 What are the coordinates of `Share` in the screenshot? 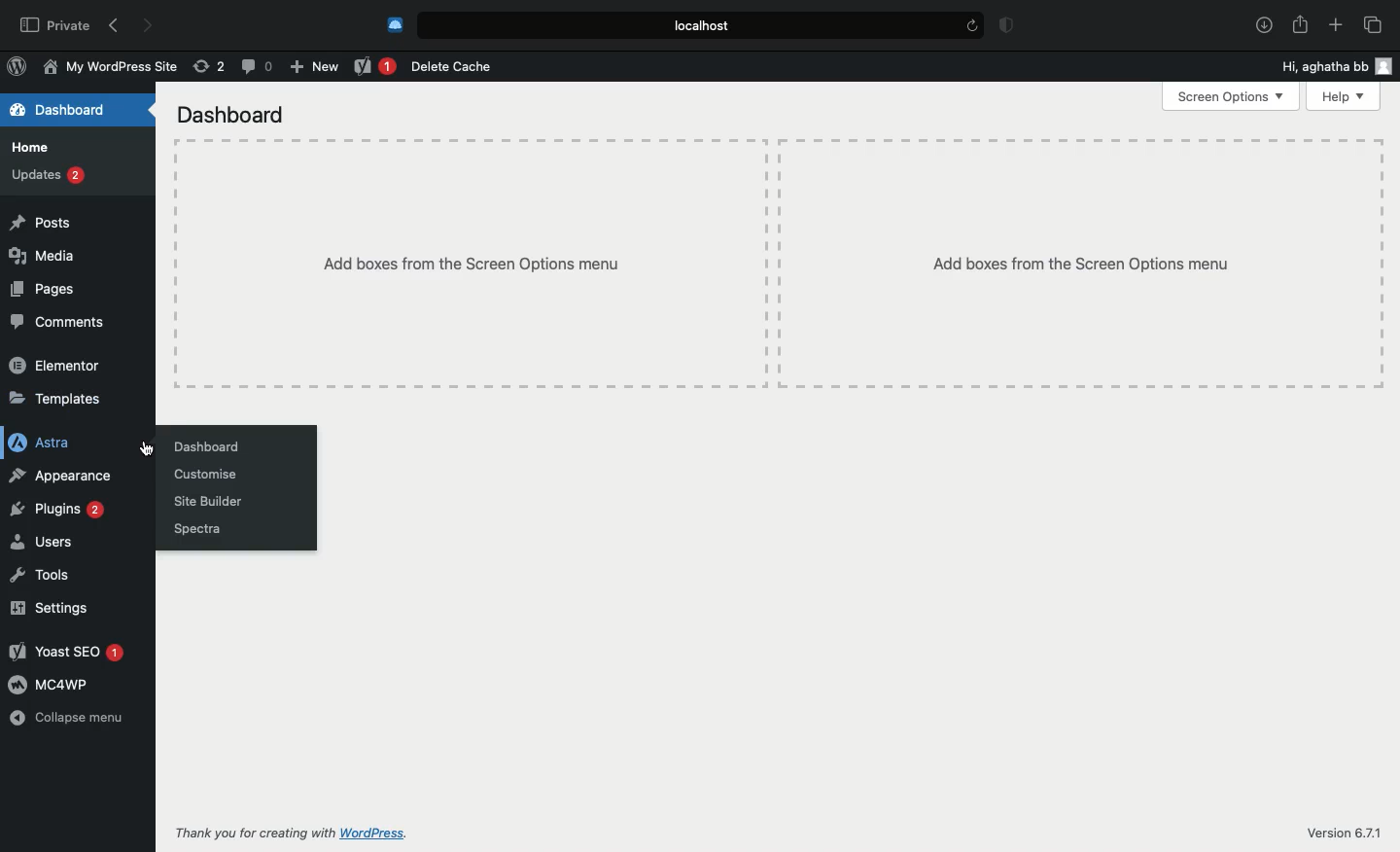 It's located at (1301, 25).